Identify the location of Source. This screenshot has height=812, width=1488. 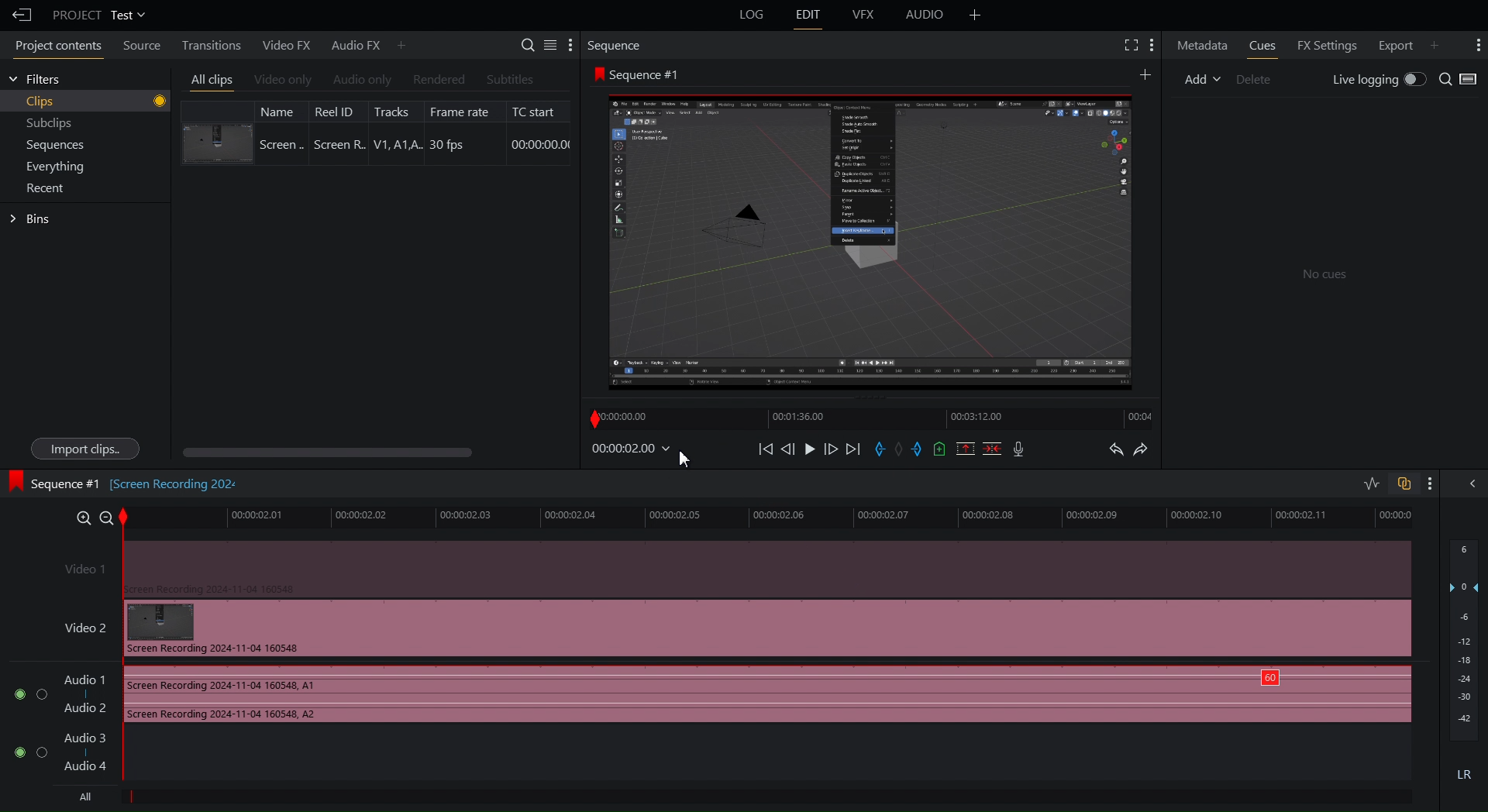
(138, 47).